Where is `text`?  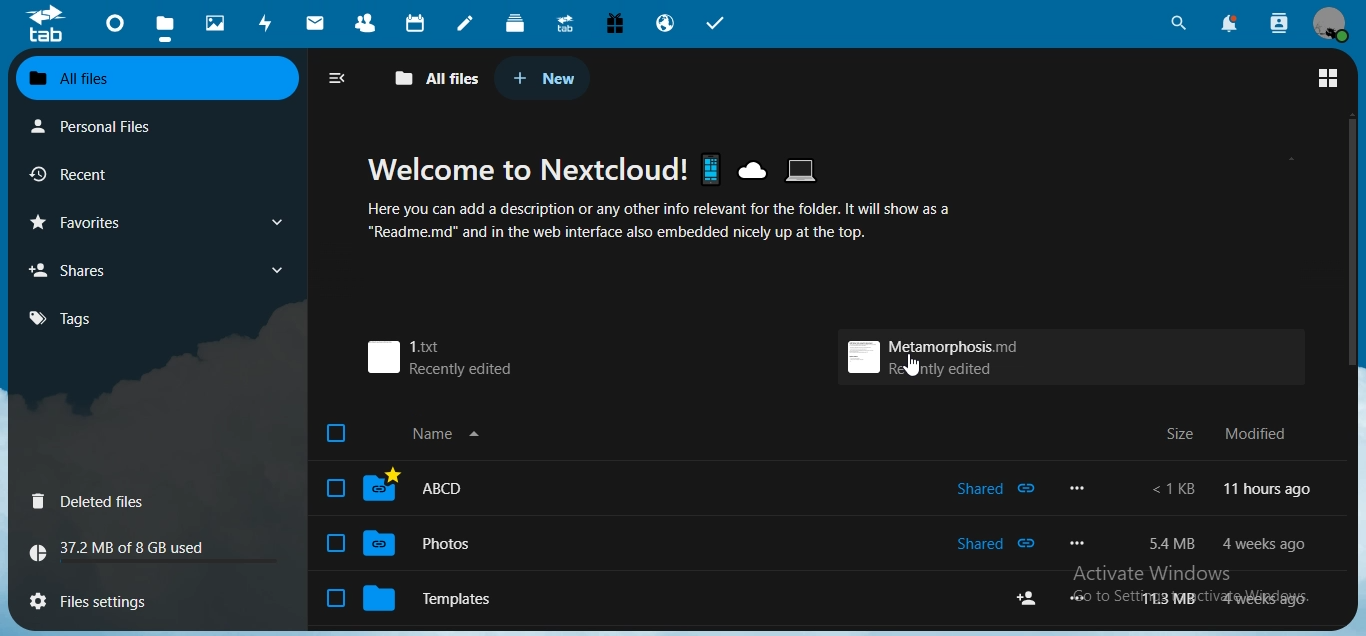
text is located at coordinates (1232, 599).